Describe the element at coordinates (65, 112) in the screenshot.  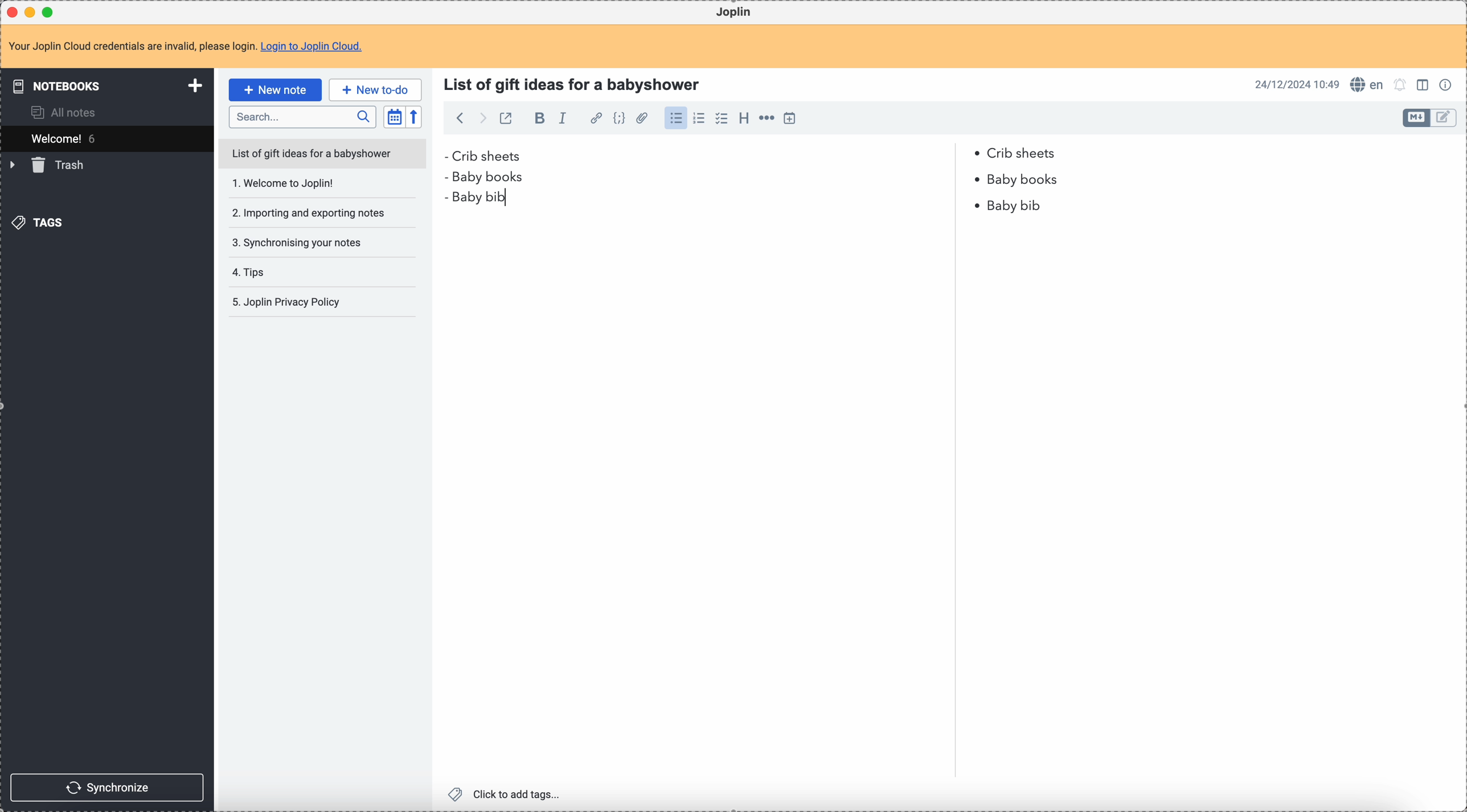
I see `all notes` at that location.